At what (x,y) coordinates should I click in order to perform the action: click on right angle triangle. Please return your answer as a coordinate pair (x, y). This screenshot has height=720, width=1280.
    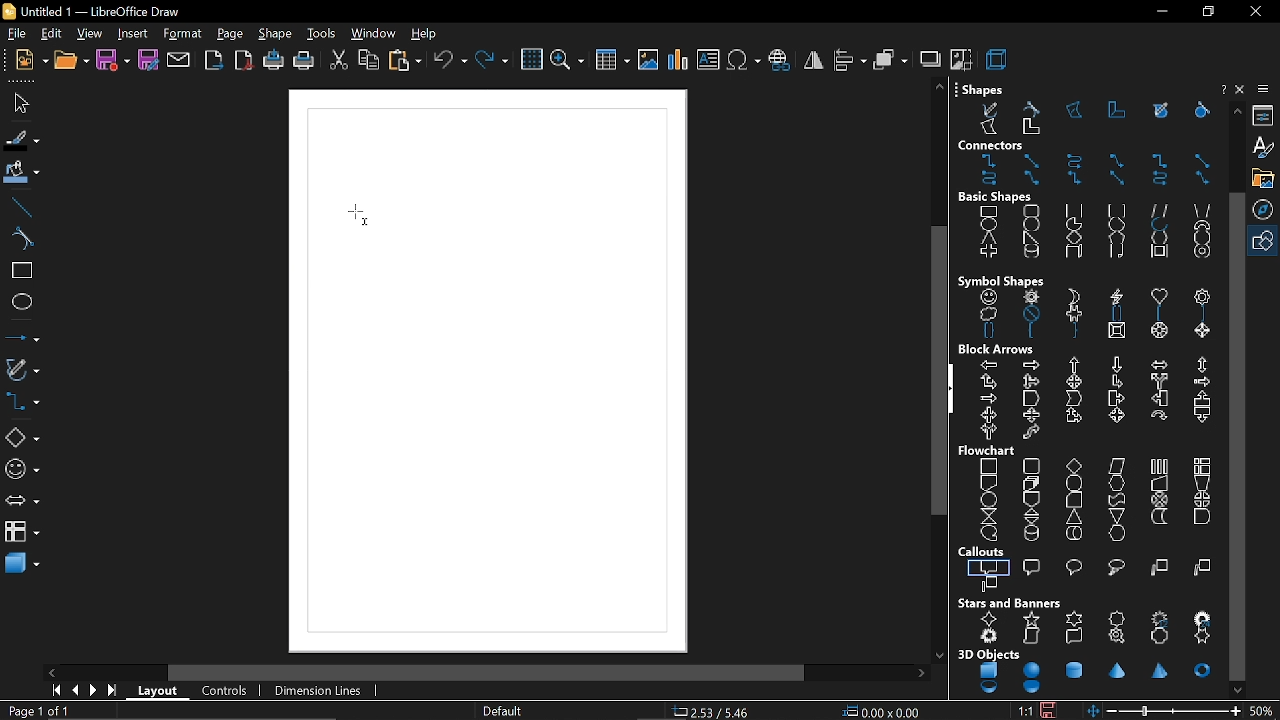
    Looking at the image, I should click on (1029, 238).